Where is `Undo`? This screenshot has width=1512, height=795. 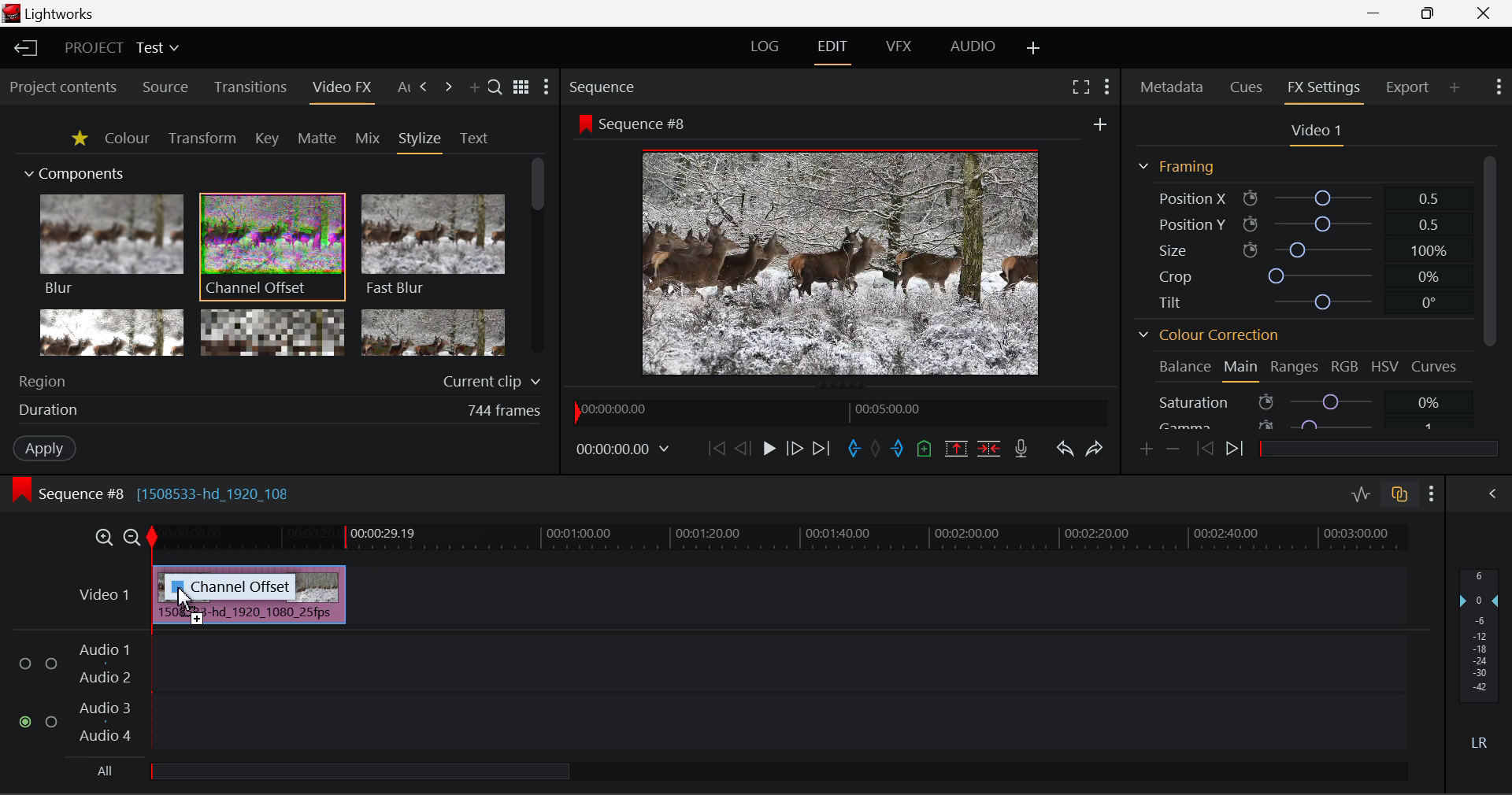 Undo is located at coordinates (1067, 451).